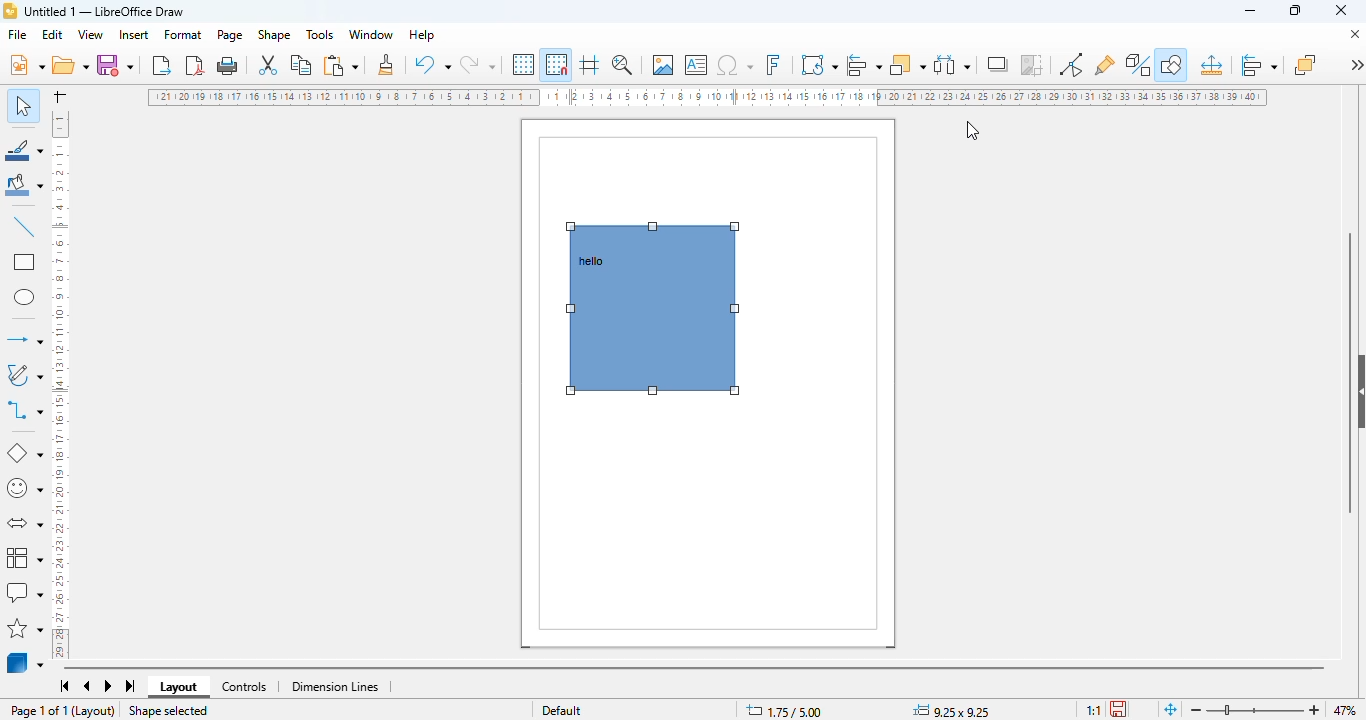  What do you see at coordinates (478, 64) in the screenshot?
I see `redo` at bounding box center [478, 64].